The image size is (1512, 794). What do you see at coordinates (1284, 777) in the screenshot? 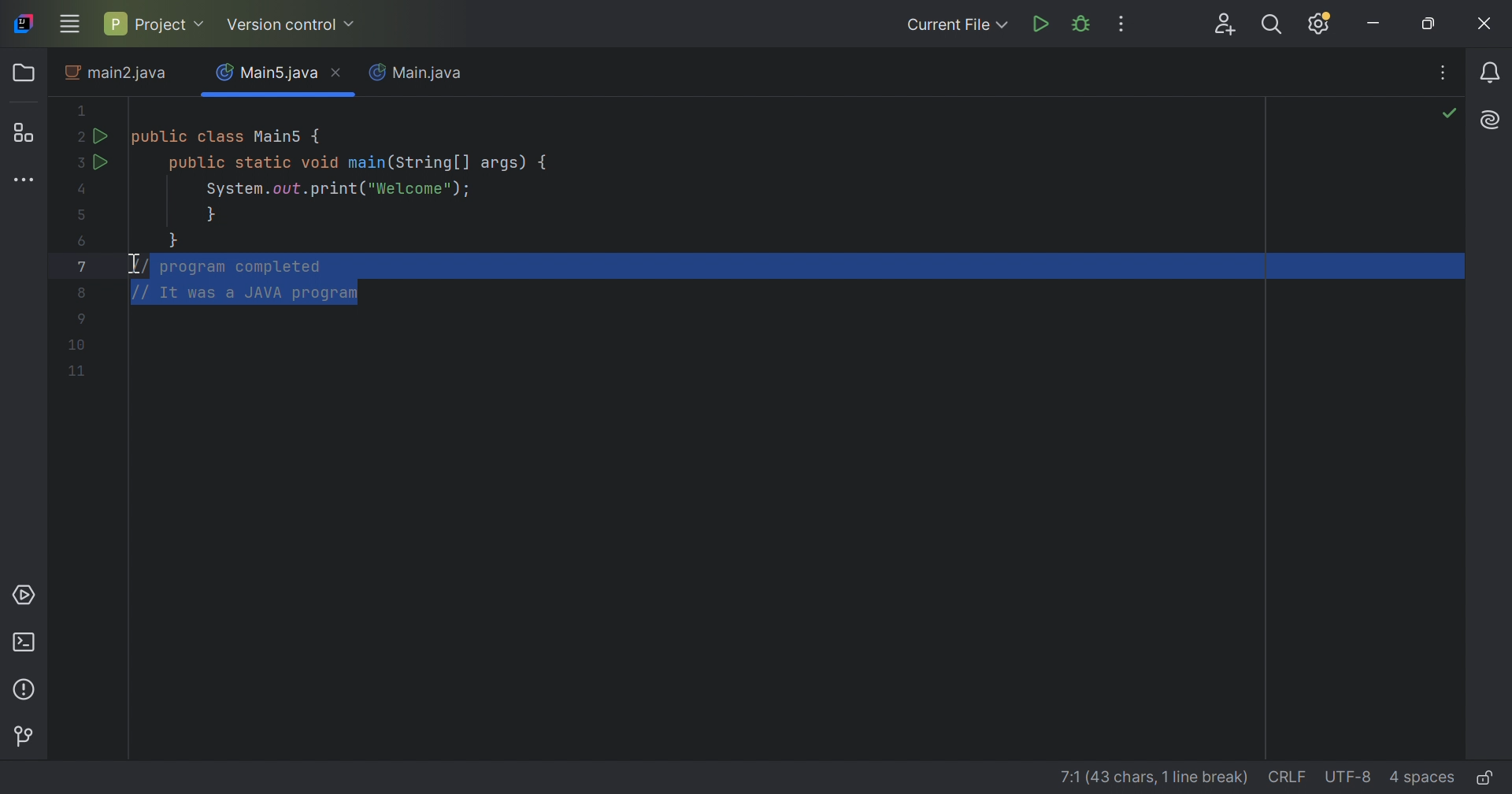
I see `CRLF` at bounding box center [1284, 777].